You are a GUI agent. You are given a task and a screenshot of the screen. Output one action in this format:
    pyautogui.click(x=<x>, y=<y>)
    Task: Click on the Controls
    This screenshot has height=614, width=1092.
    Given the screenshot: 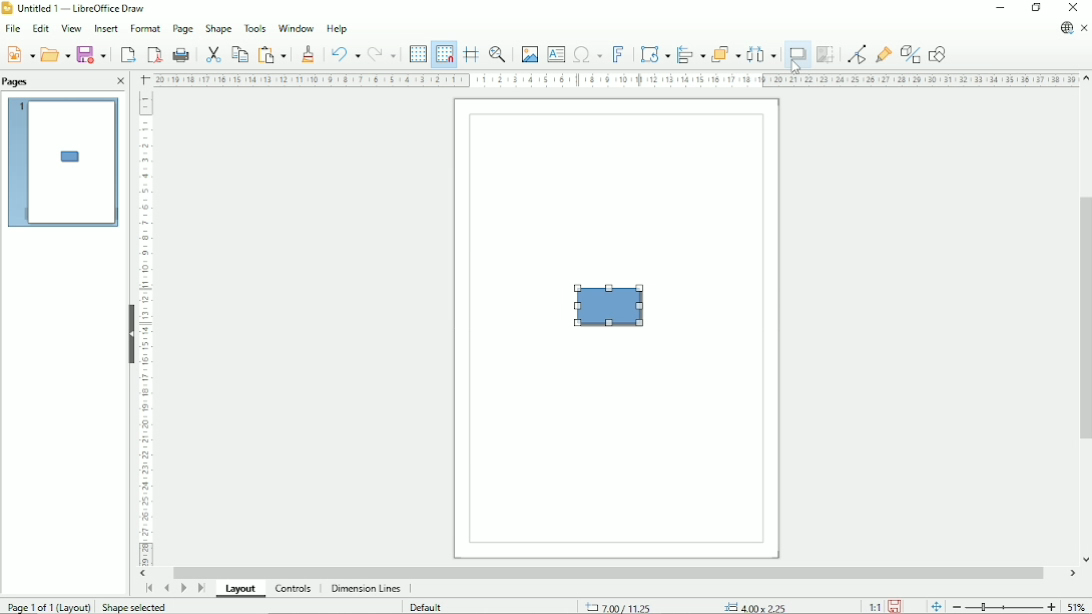 What is the action you would take?
    pyautogui.click(x=293, y=589)
    